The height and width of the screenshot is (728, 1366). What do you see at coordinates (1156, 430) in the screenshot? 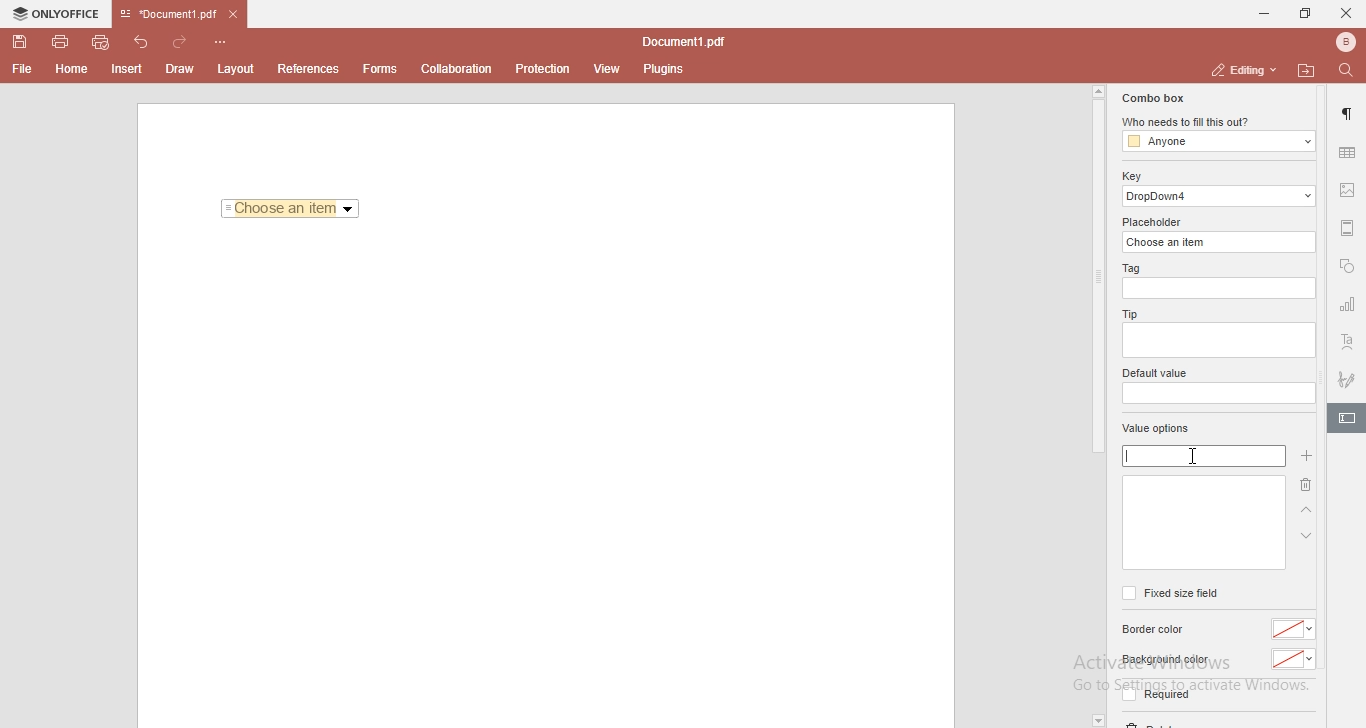
I see `value options` at bounding box center [1156, 430].